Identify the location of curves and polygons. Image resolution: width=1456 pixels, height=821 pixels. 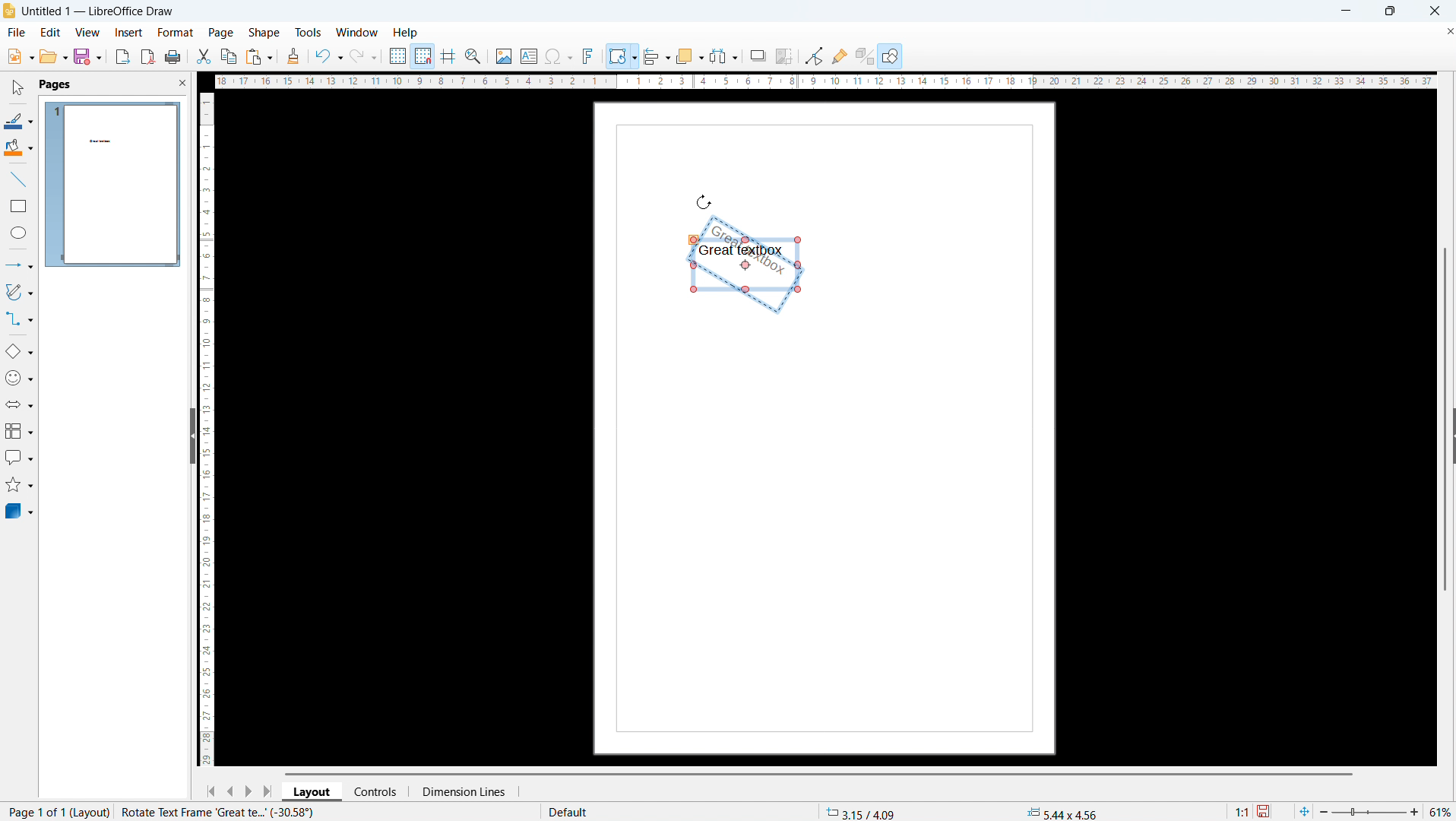
(18, 293).